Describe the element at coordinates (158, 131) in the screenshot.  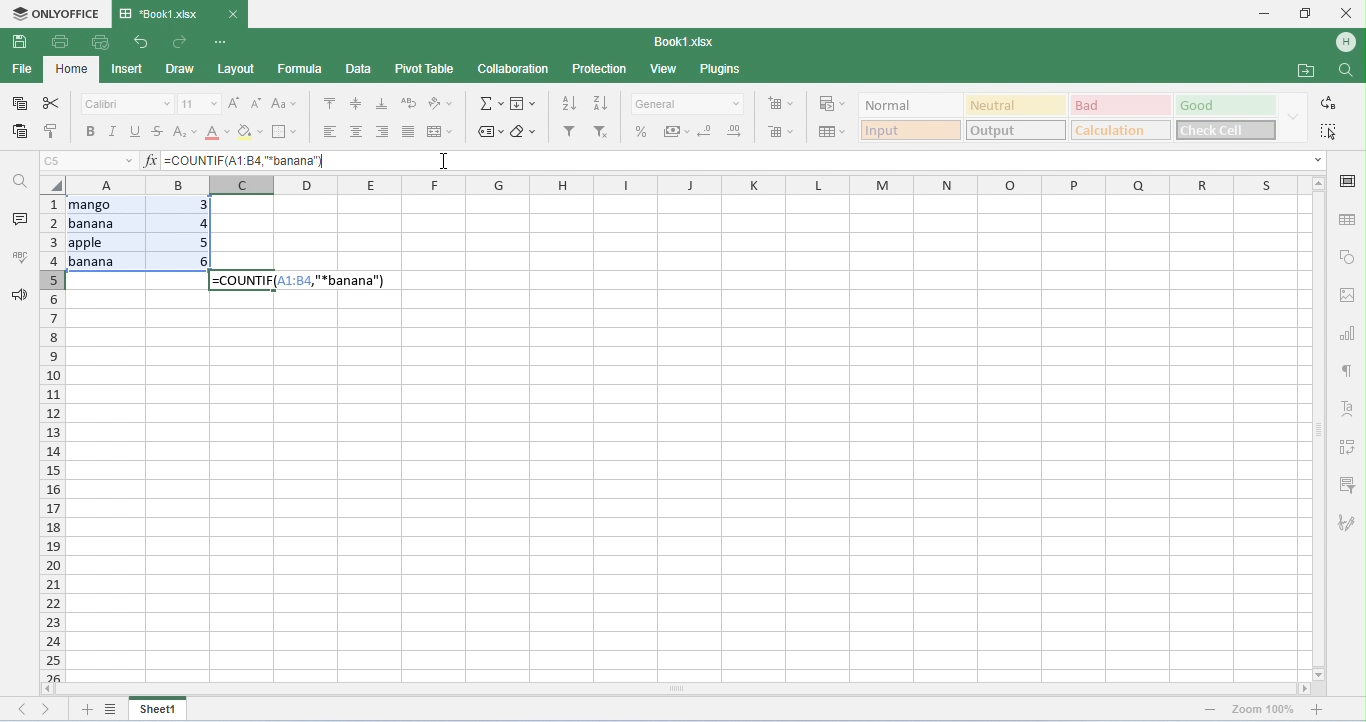
I see `strikethrough` at that location.